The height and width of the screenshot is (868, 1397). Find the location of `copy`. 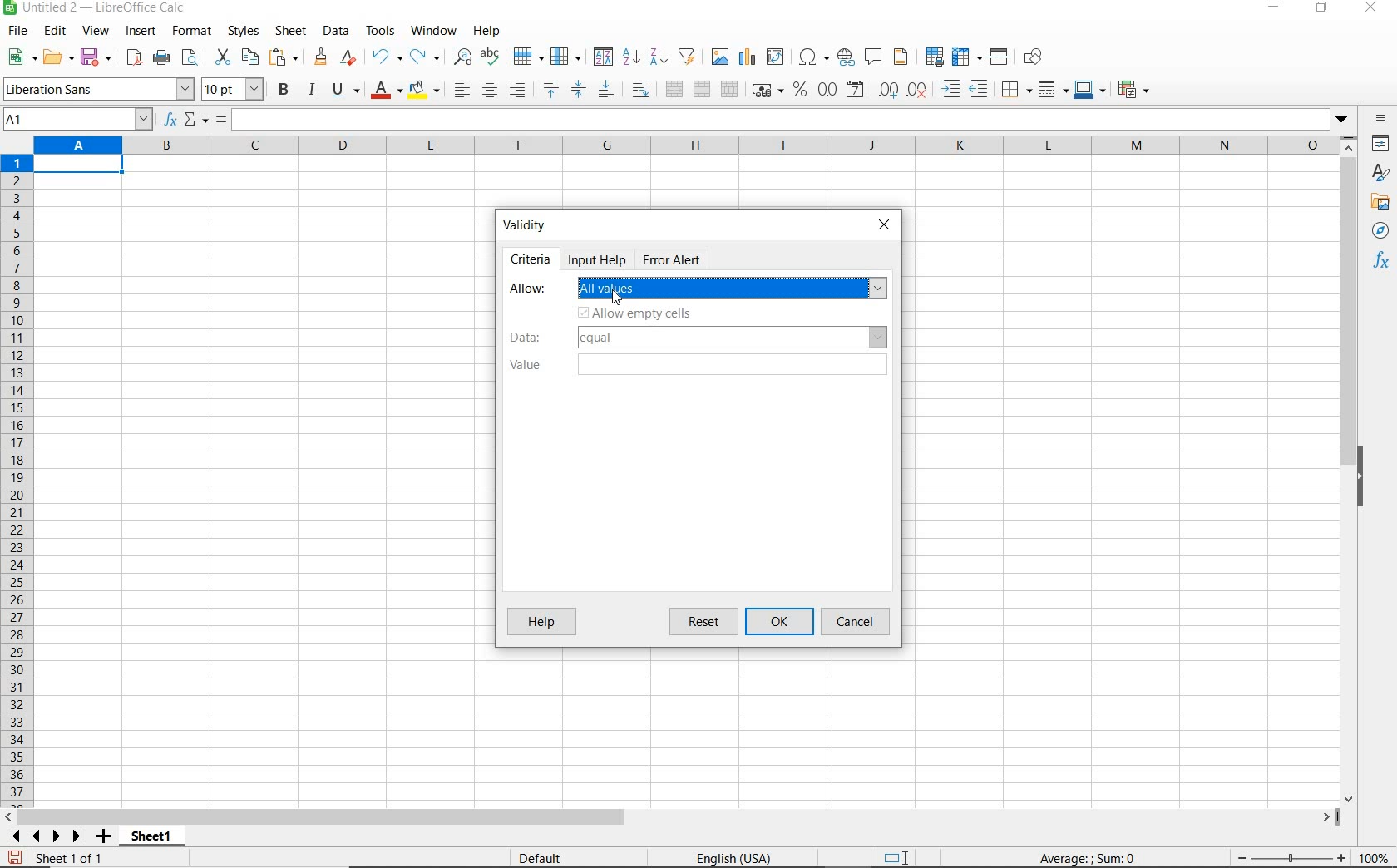

copy is located at coordinates (251, 57).